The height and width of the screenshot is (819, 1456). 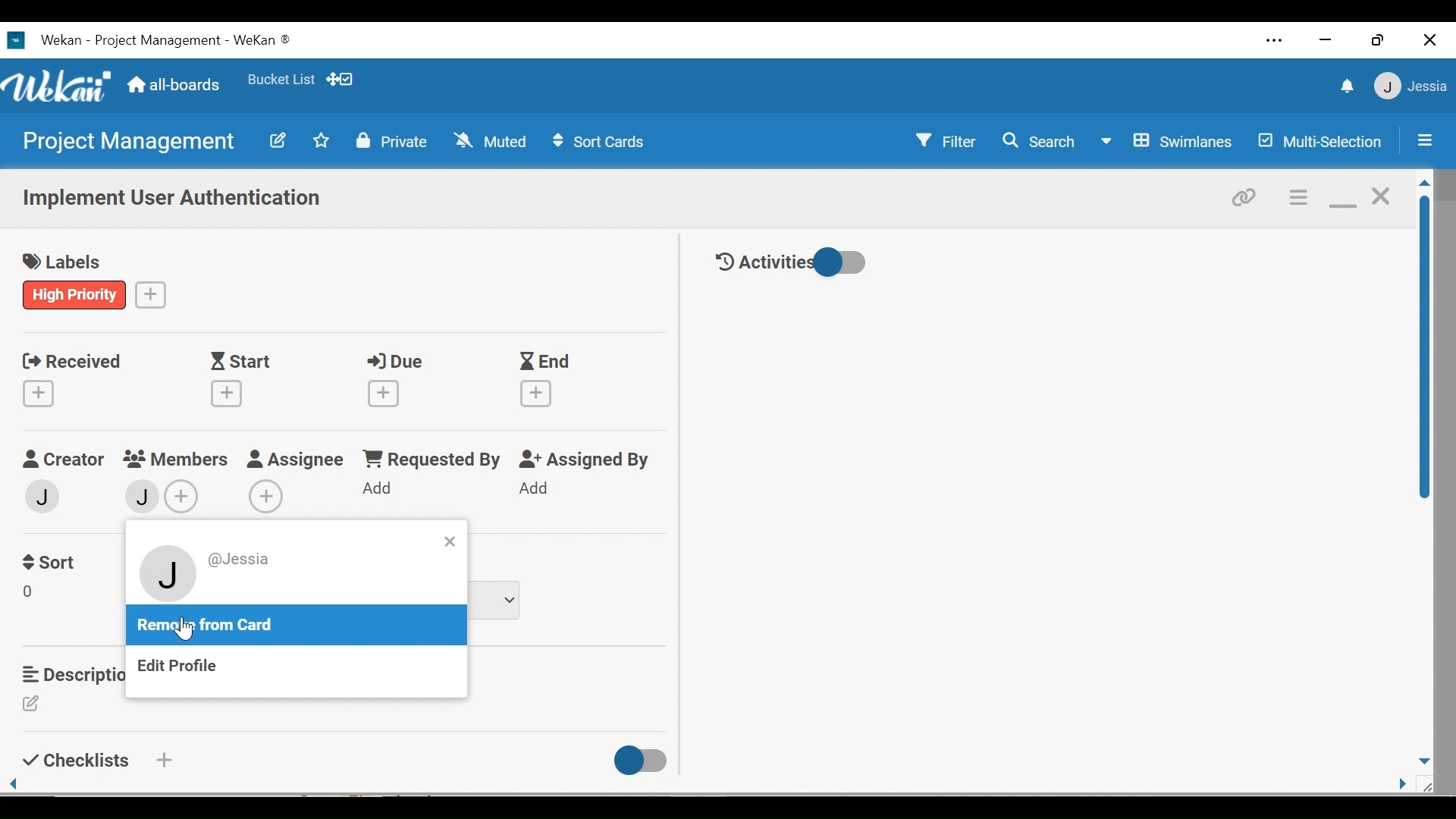 I want to click on admin, so click(x=46, y=495).